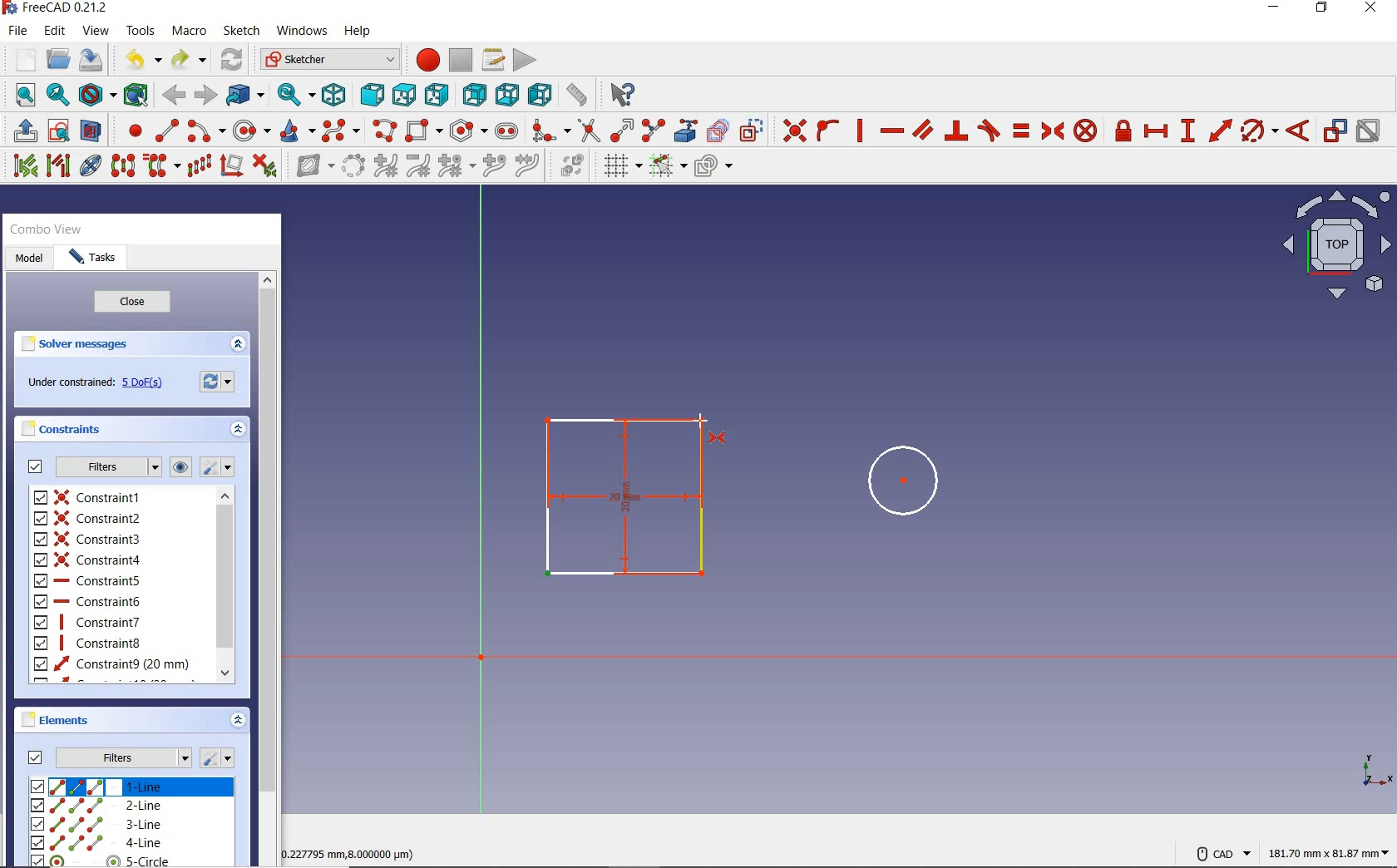 This screenshot has width=1397, height=868. Describe the element at coordinates (893, 131) in the screenshot. I see `constrain horizontally` at that location.